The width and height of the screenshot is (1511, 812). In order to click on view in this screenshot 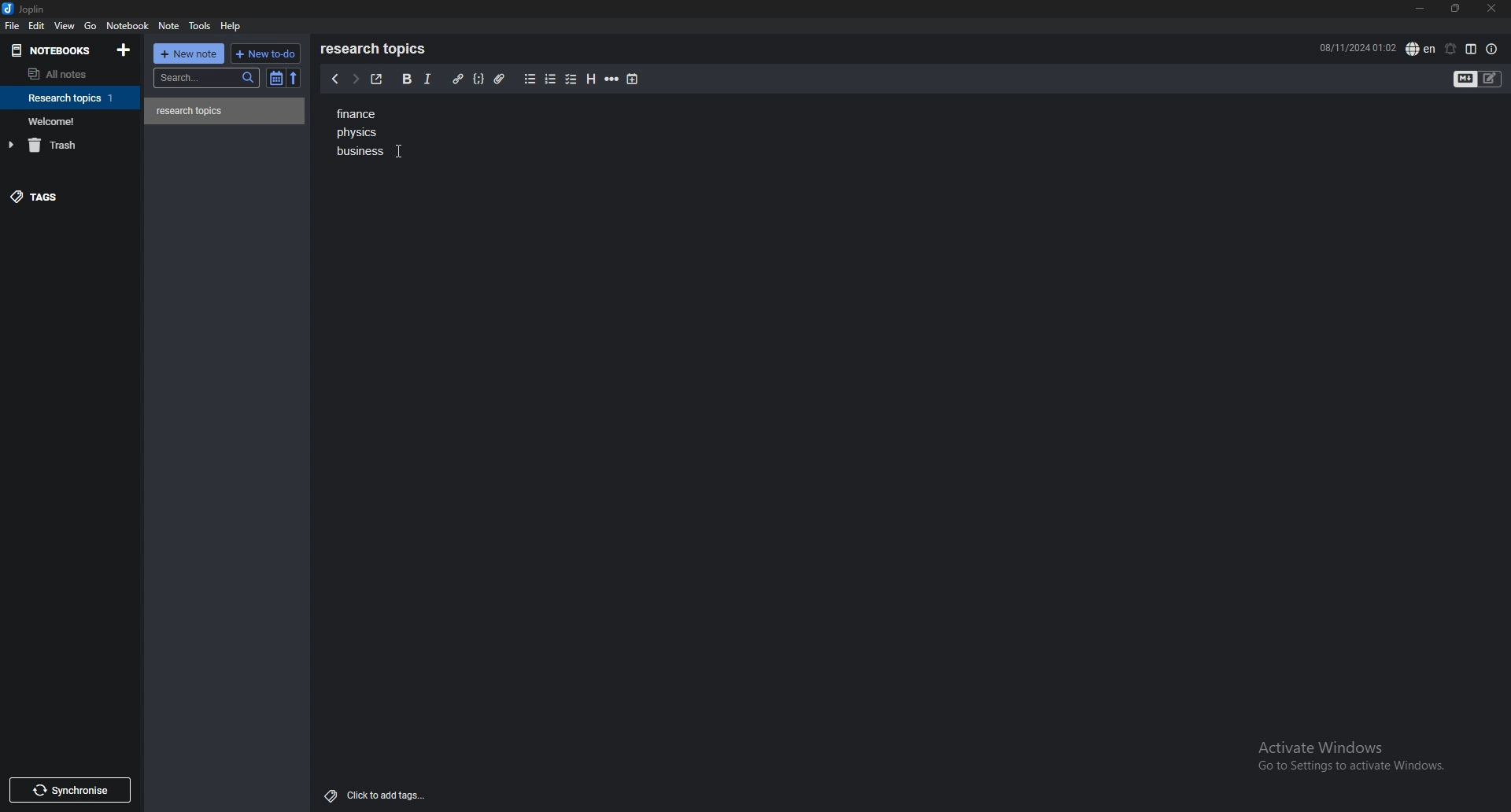, I will do `click(65, 26)`.